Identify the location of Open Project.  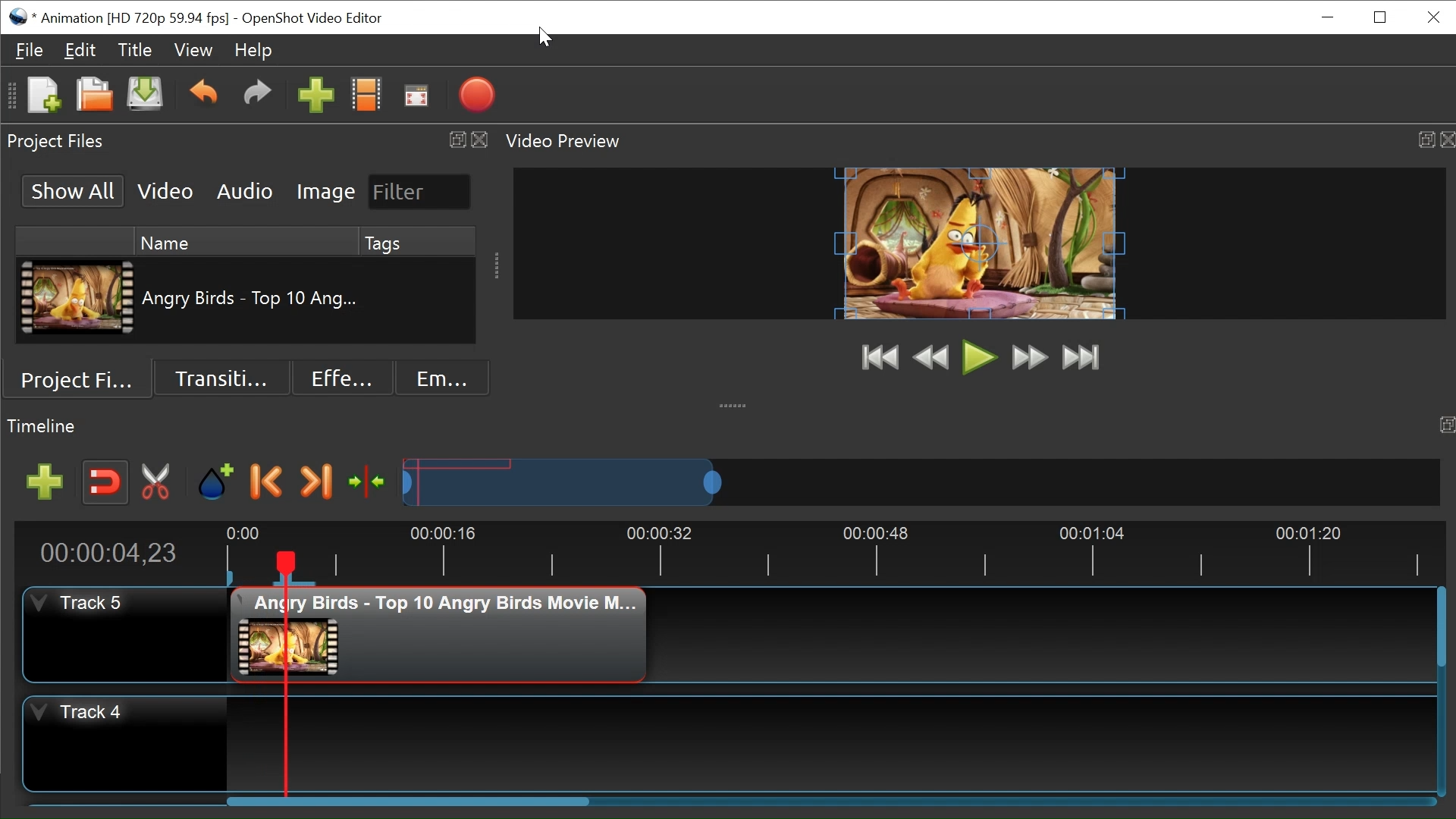
(93, 95).